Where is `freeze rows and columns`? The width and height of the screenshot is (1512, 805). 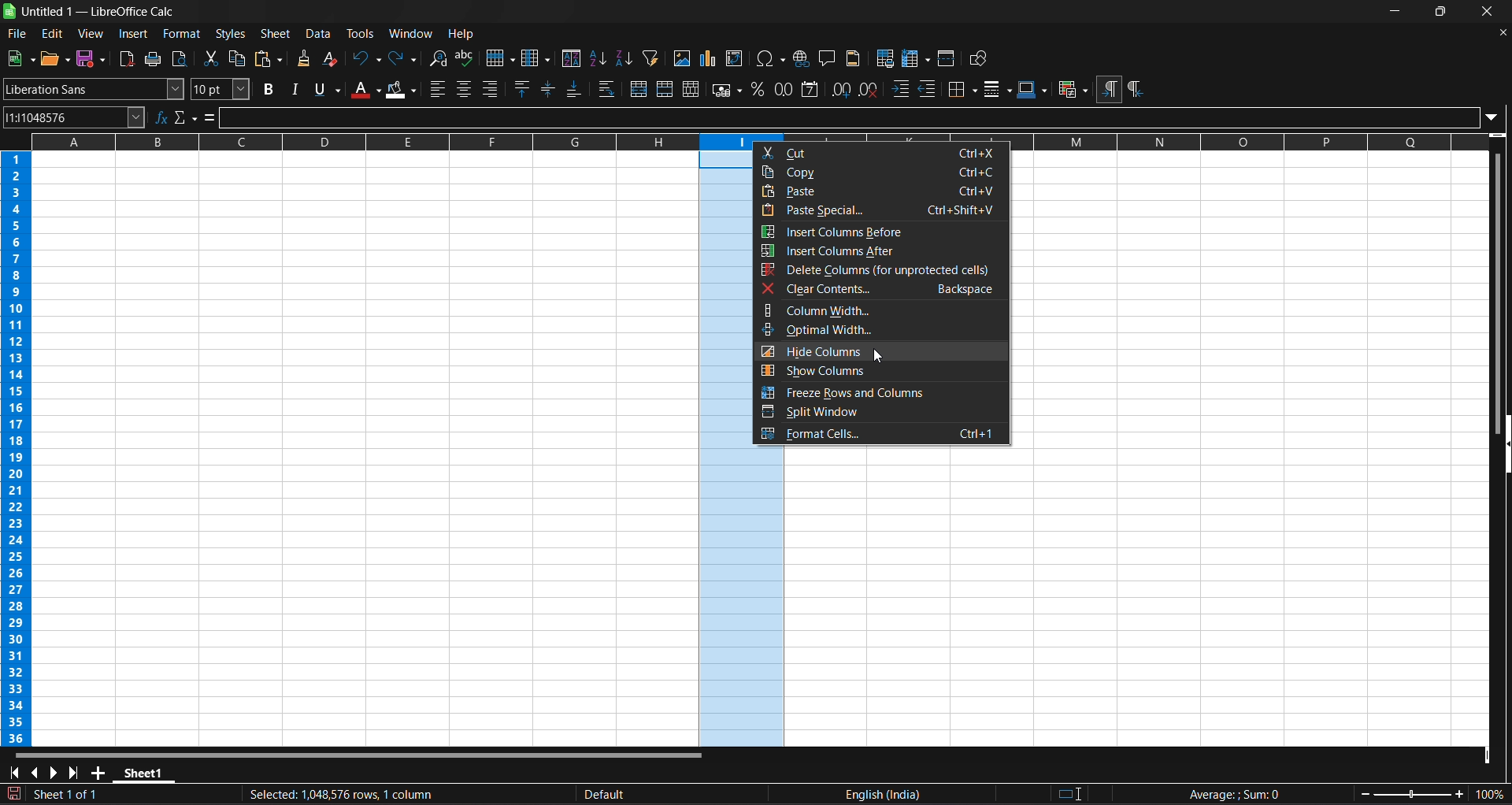
freeze rows and columns is located at coordinates (917, 57).